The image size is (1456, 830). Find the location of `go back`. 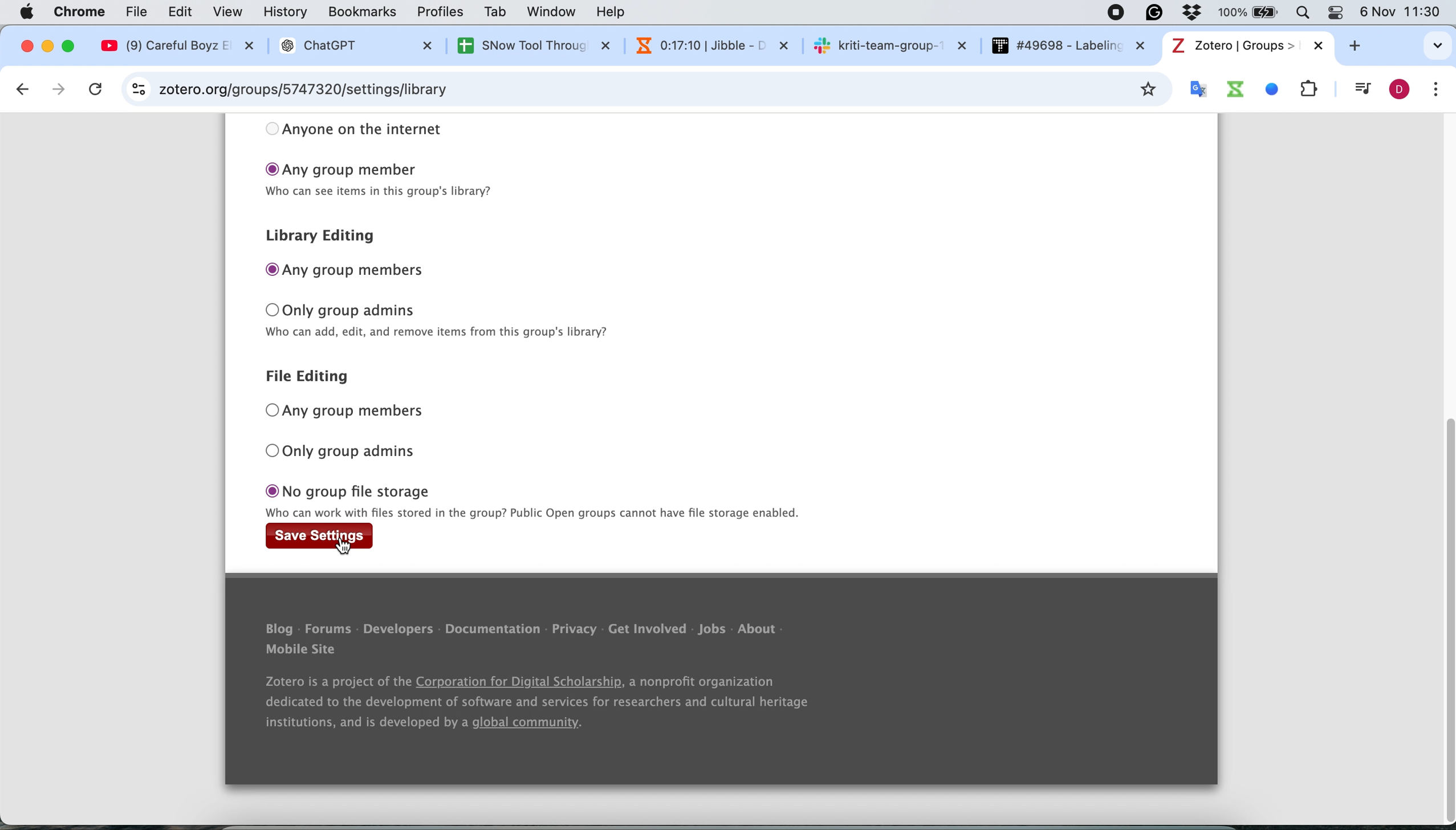

go back is located at coordinates (21, 88).